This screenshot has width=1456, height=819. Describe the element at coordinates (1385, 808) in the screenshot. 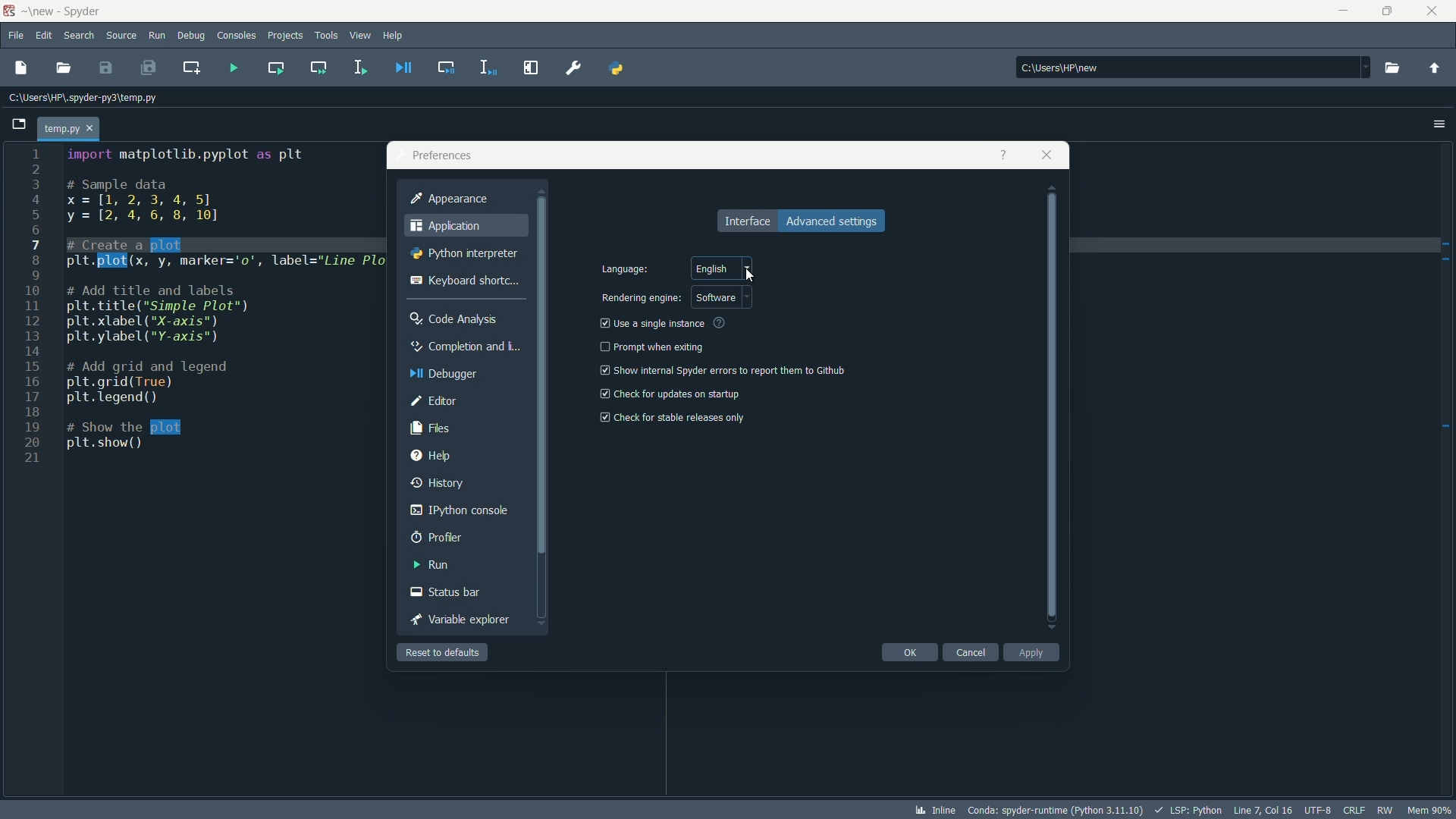

I see `rw` at that location.